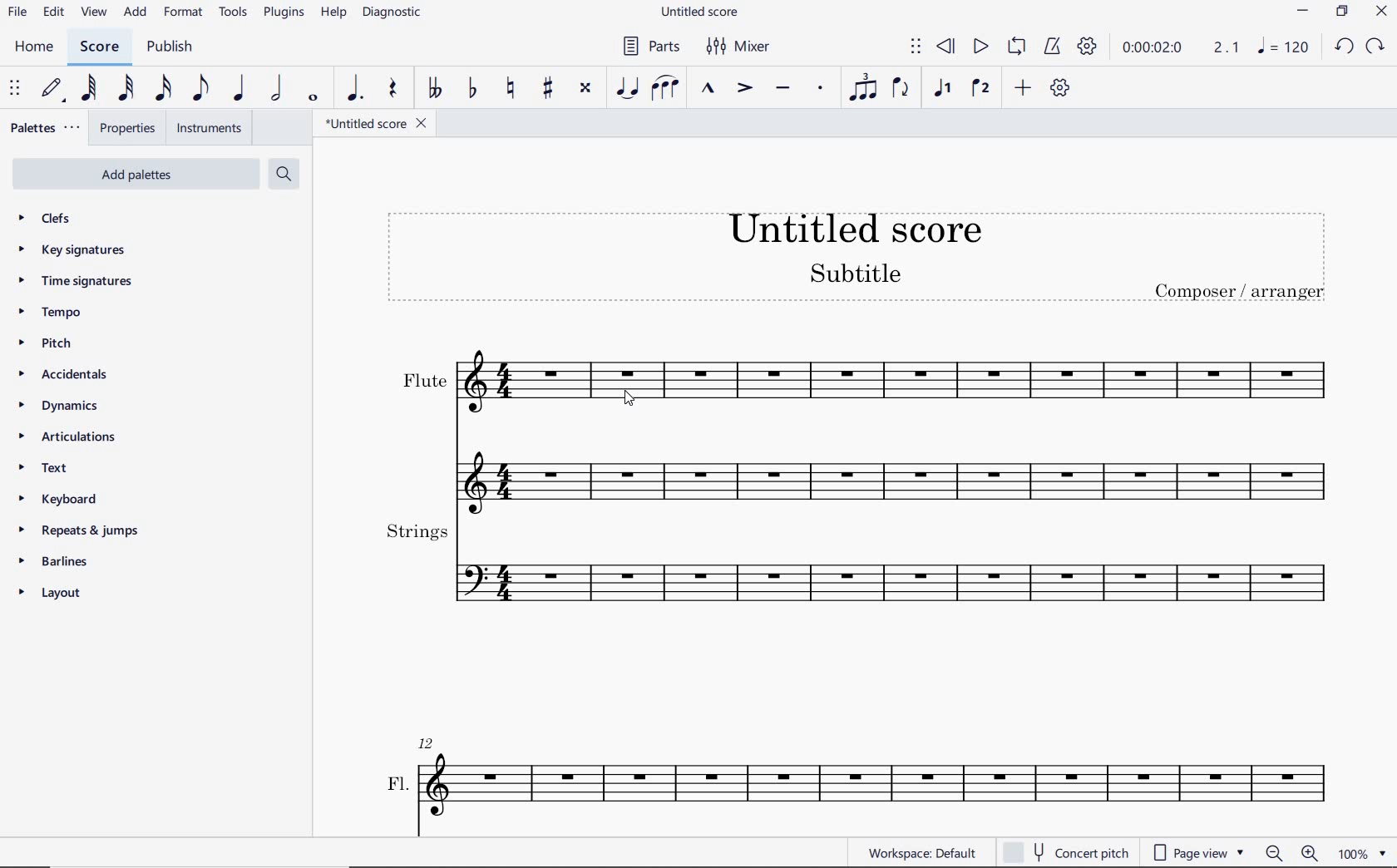 The width and height of the screenshot is (1397, 868). What do you see at coordinates (1340, 13) in the screenshot?
I see `restore down` at bounding box center [1340, 13].